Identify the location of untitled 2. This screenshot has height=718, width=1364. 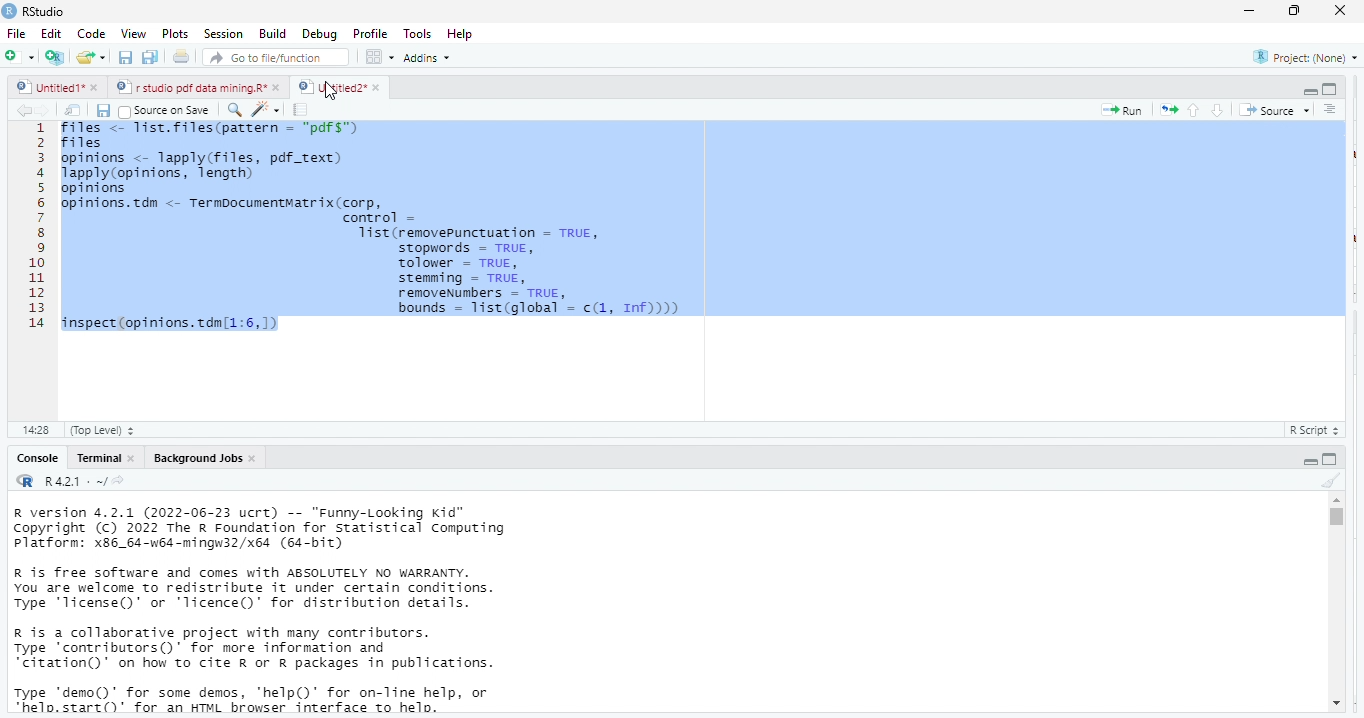
(330, 86).